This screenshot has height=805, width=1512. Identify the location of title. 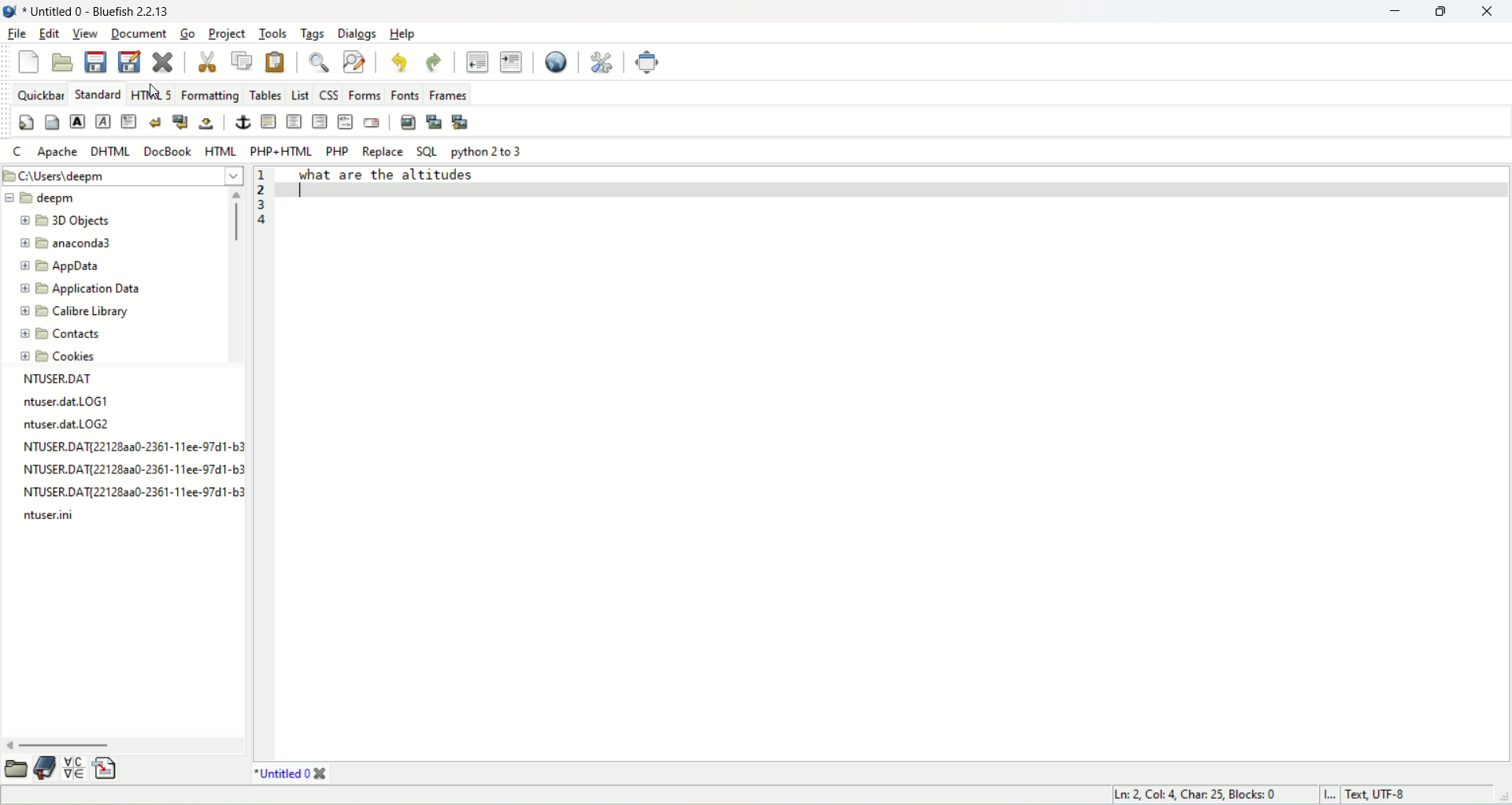
(97, 10).